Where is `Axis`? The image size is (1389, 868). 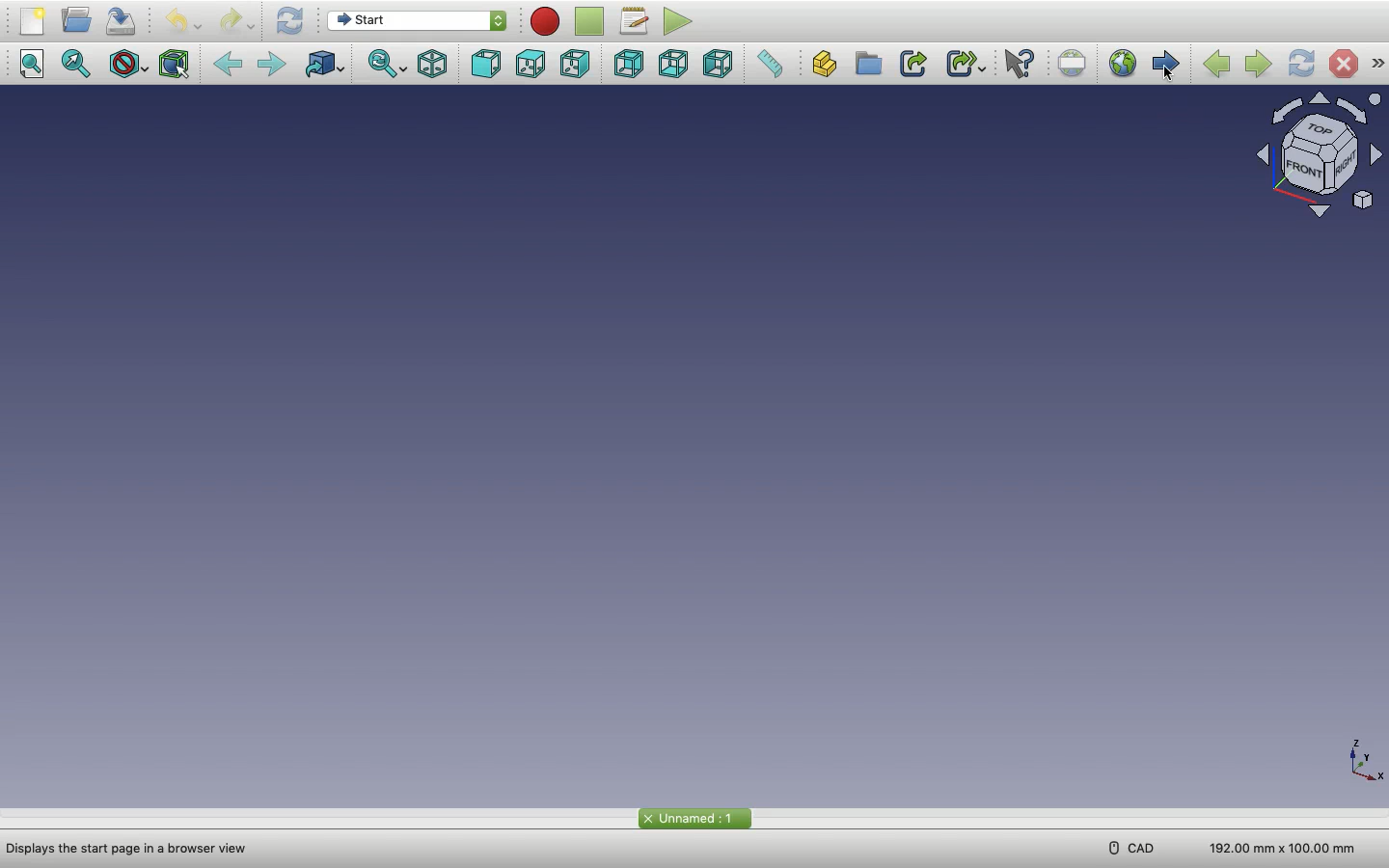
Axis is located at coordinates (1359, 756).